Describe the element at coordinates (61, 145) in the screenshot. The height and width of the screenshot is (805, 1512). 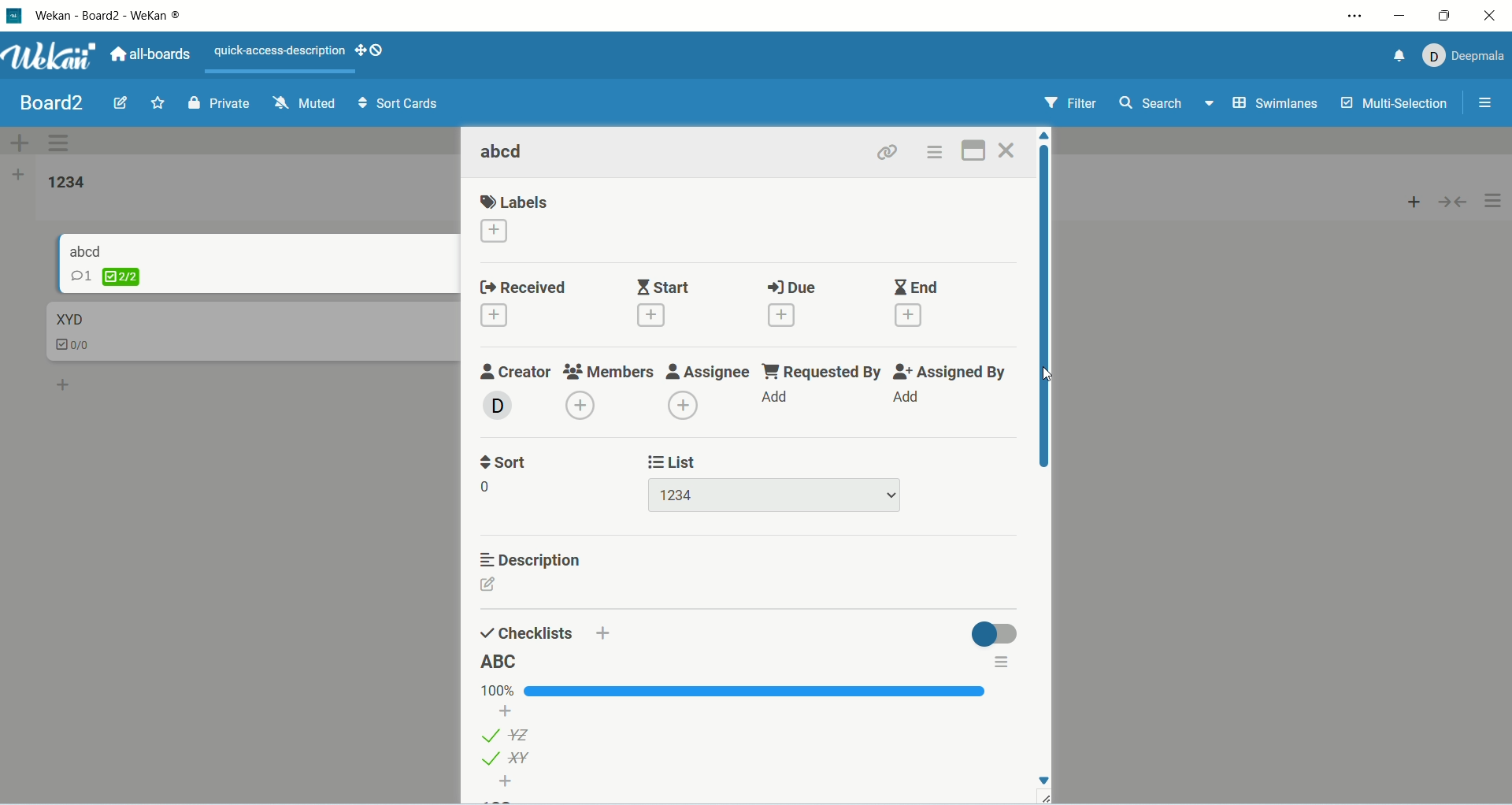
I see `swimlane actions` at that location.